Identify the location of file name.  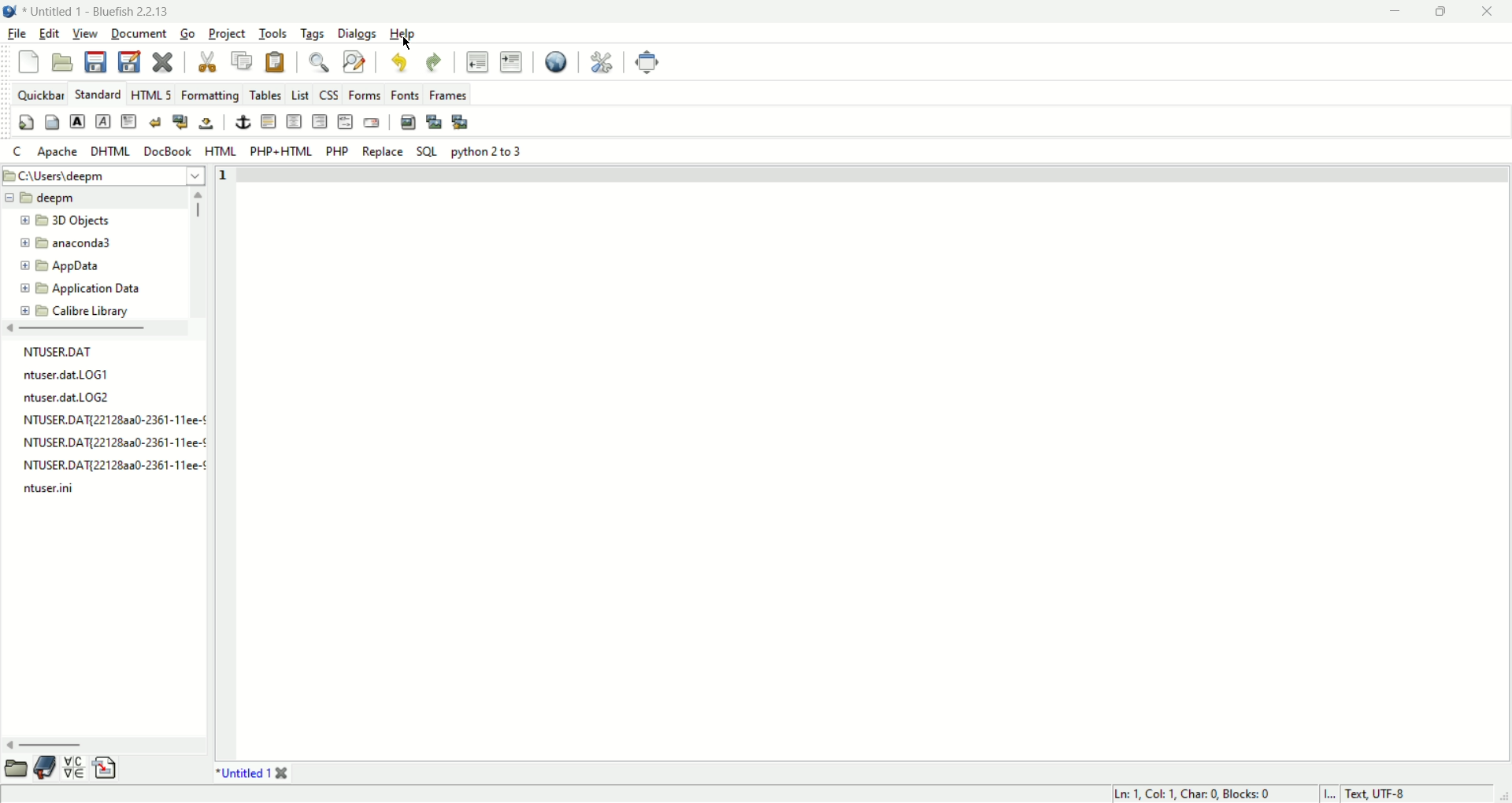
(69, 375).